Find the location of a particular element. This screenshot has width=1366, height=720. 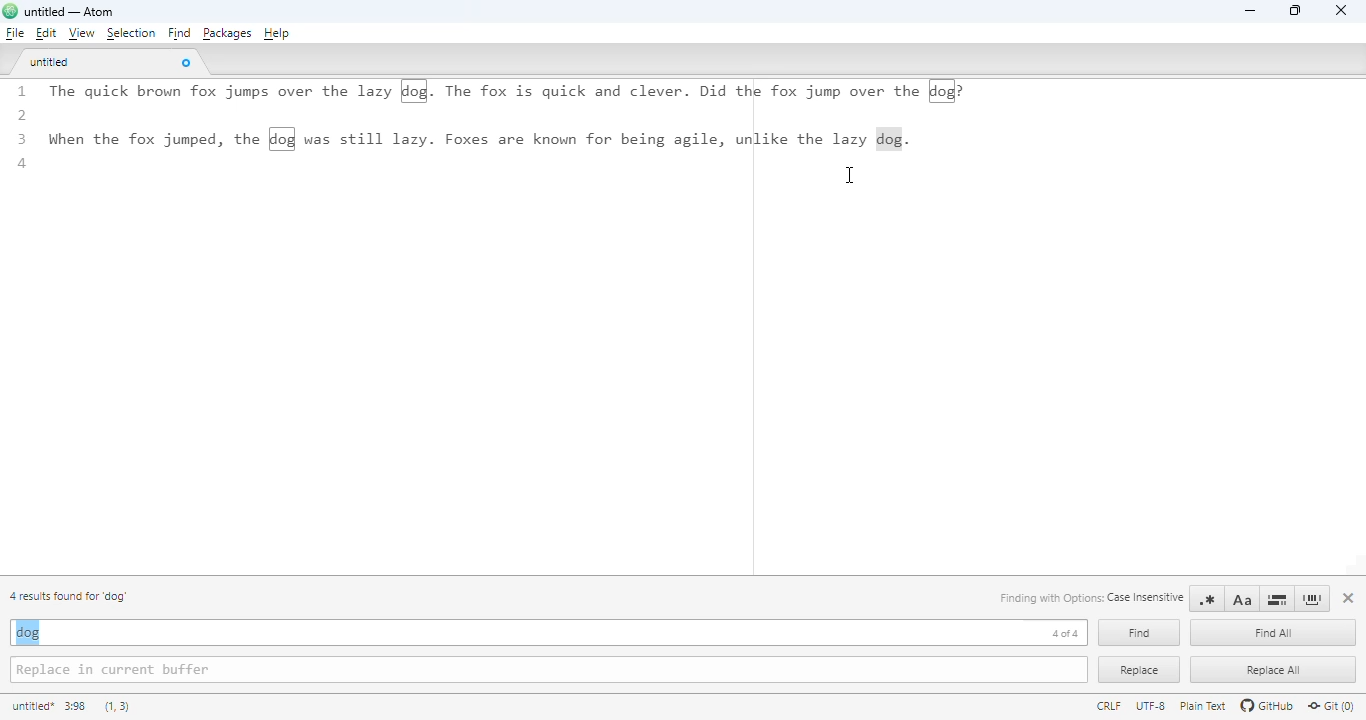

4 of 4 is located at coordinates (1065, 633).